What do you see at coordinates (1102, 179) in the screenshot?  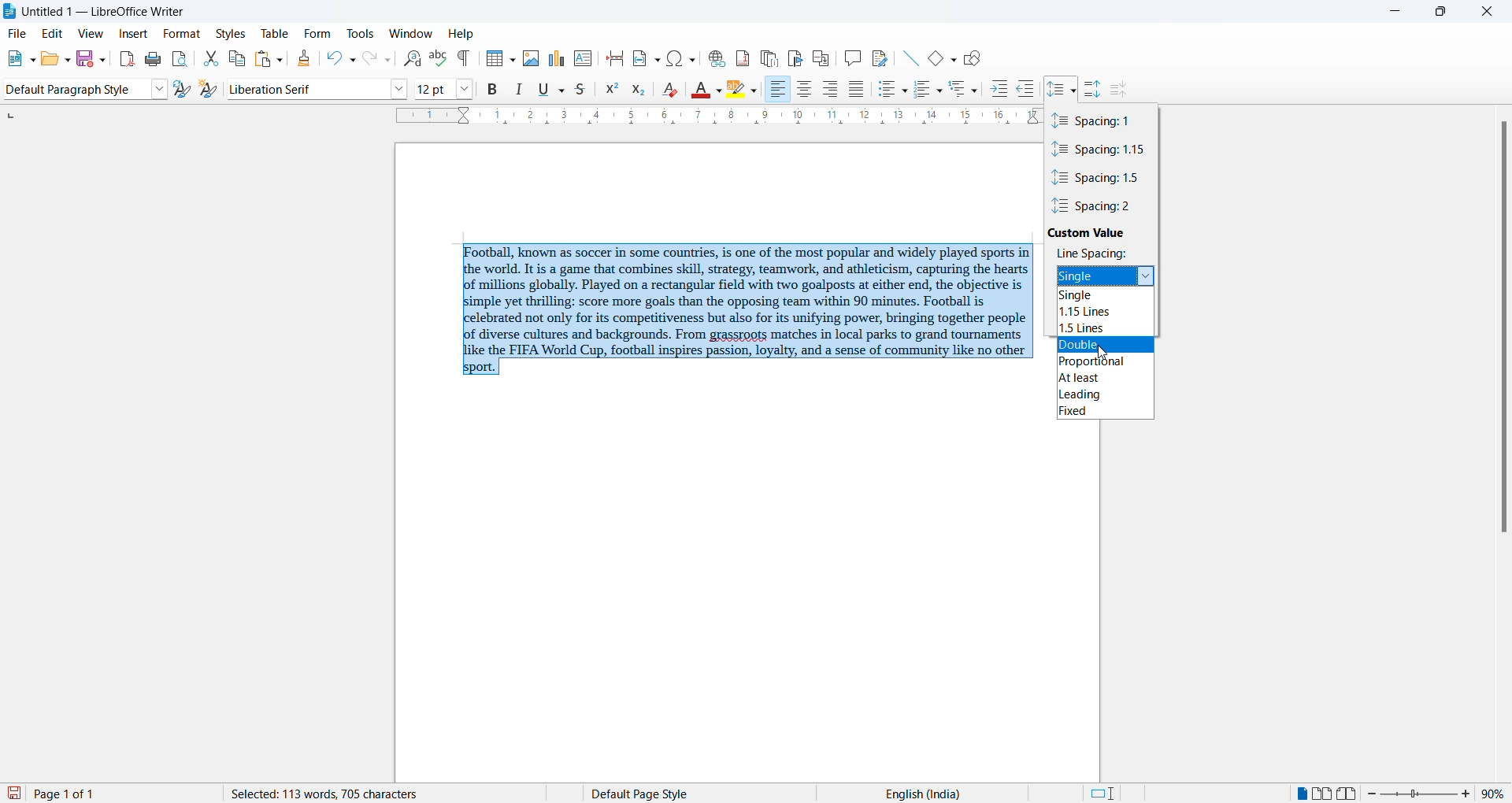 I see `spacing value 1.5` at bounding box center [1102, 179].